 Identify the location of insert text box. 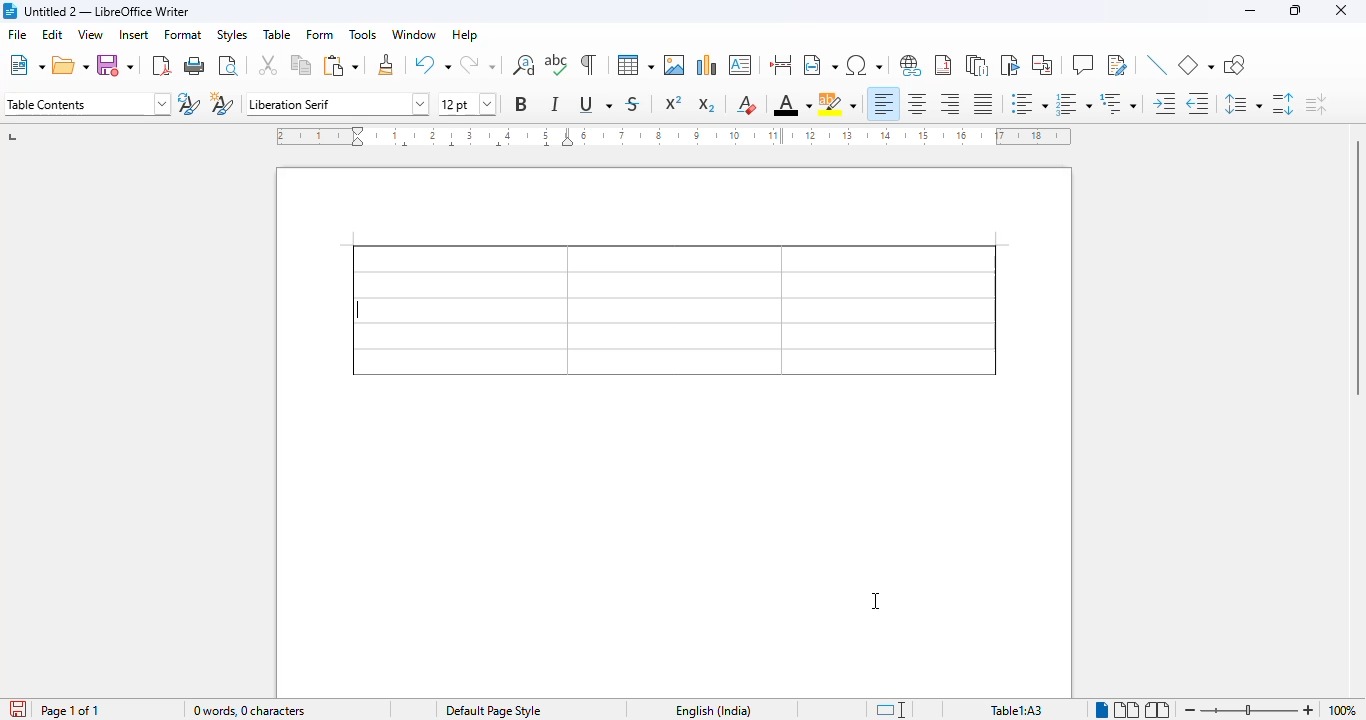
(740, 65).